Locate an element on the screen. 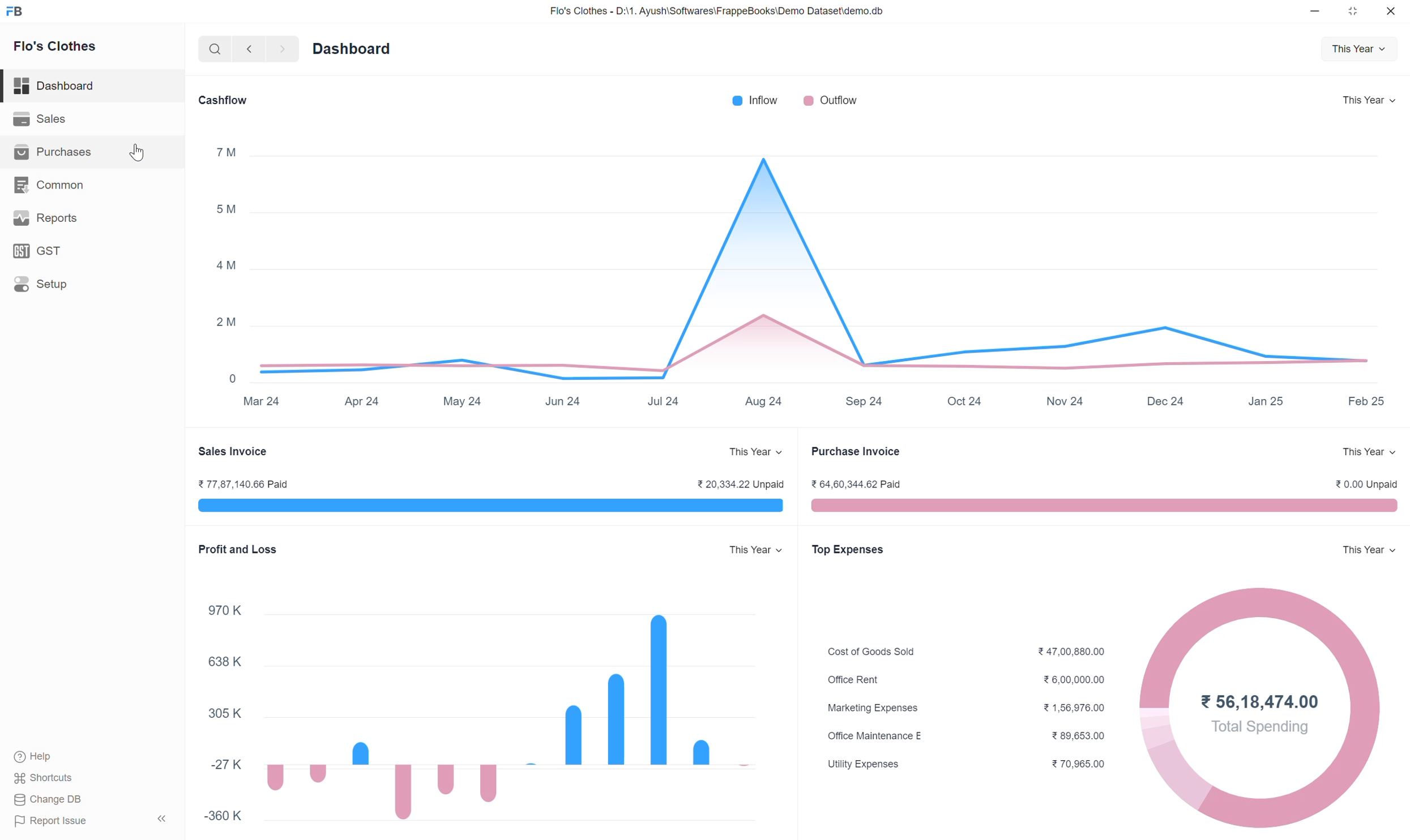 The width and height of the screenshot is (1410, 840). Setup is located at coordinates (92, 284).